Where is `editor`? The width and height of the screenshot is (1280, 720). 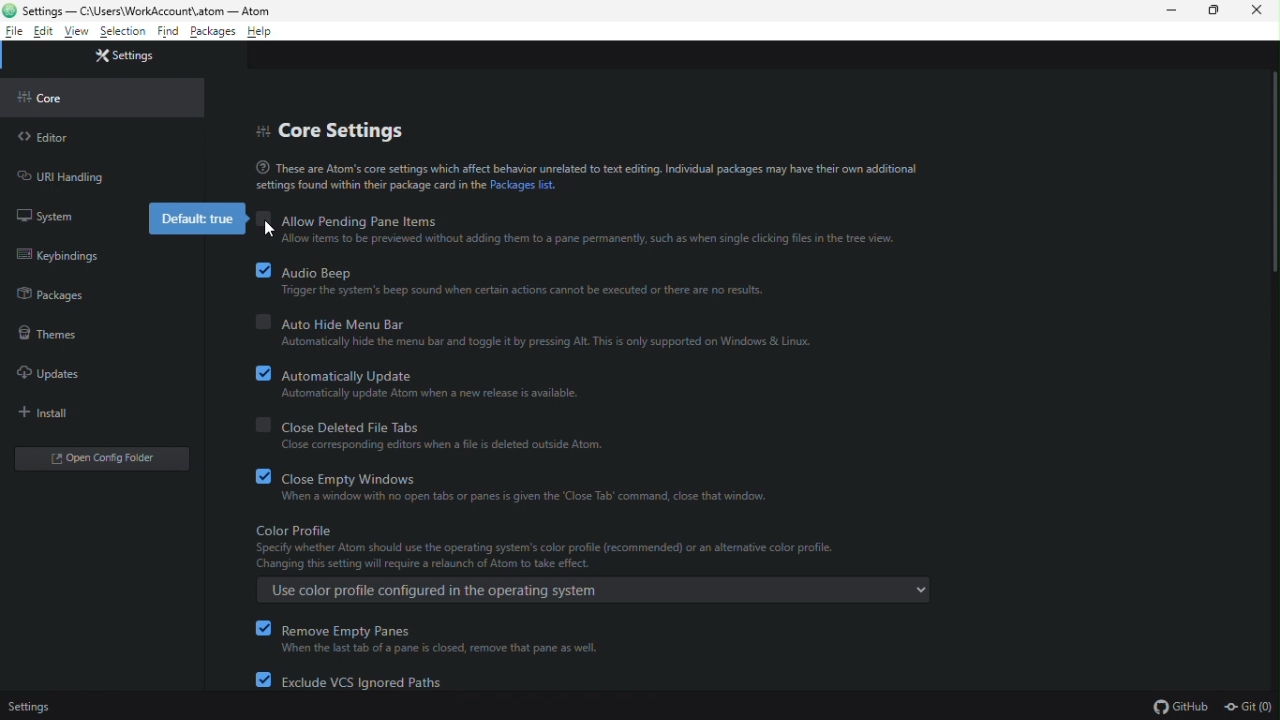 editor is located at coordinates (62, 138).